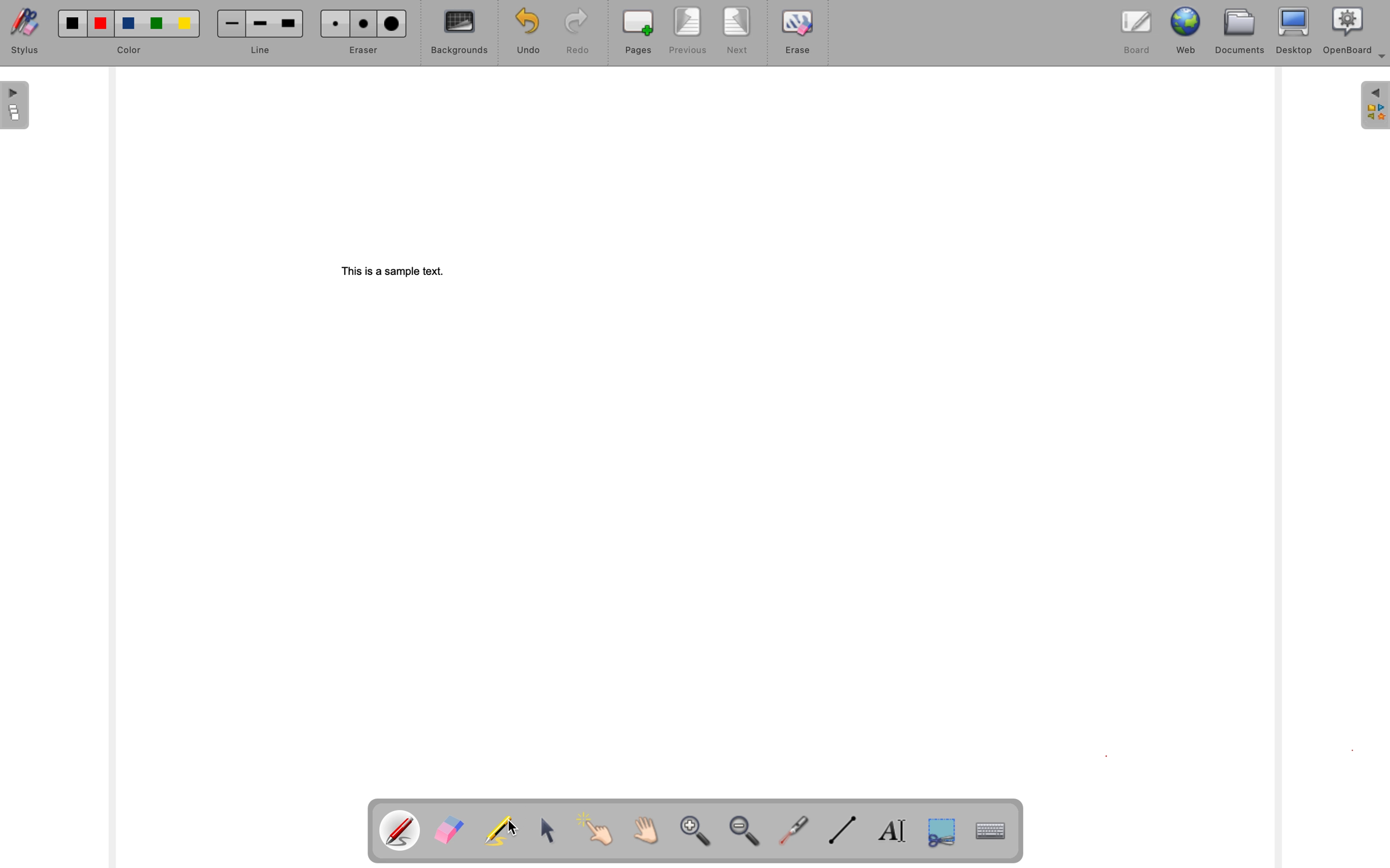 This screenshot has width=1390, height=868. What do you see at coordinates (101, 24) in the screenshot?
I see `Color 2` at bounding box center [101, 24].